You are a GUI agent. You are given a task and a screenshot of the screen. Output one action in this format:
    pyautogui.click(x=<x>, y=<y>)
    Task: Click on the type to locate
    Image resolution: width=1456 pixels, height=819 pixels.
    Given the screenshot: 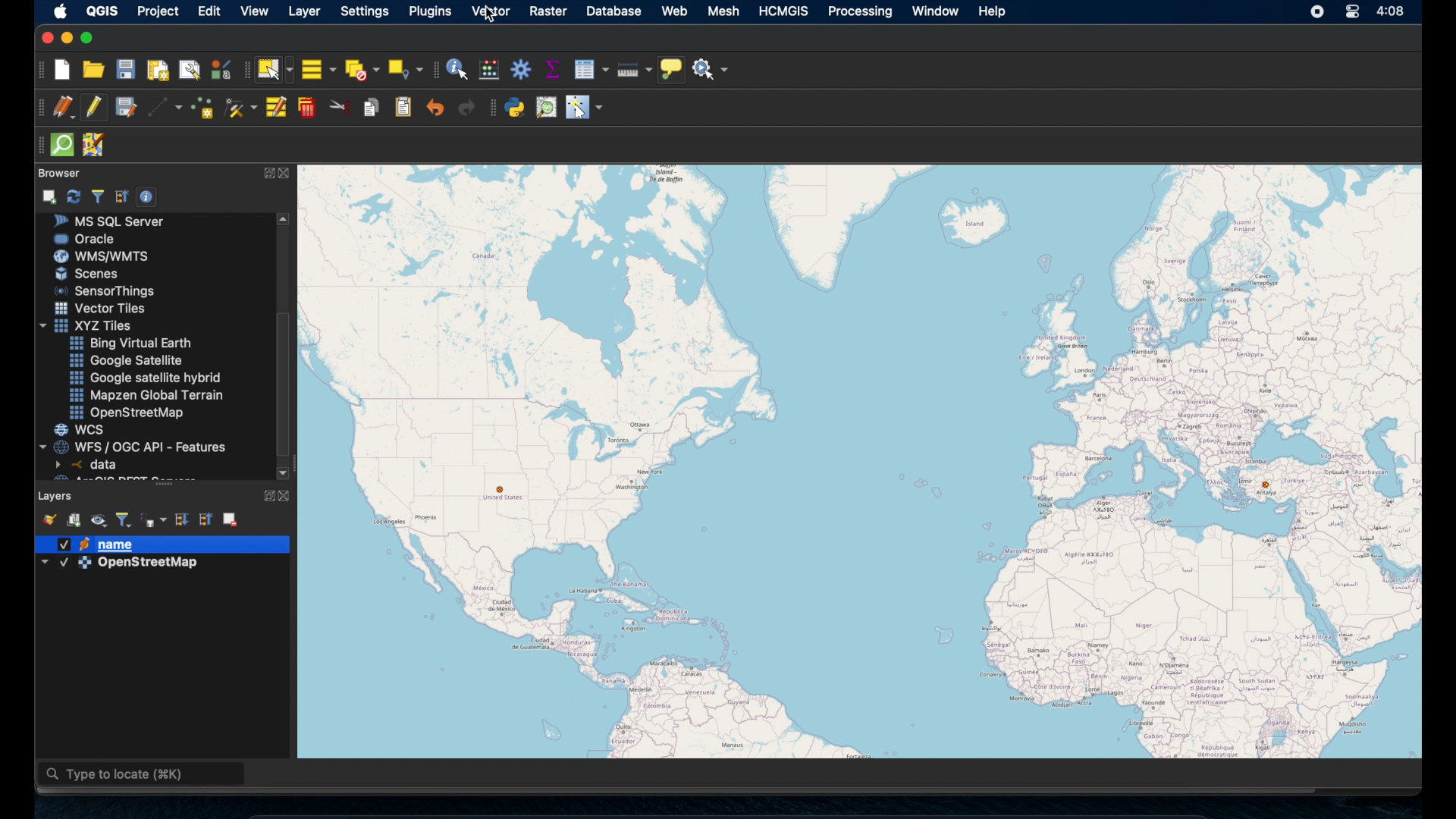 What is the action you would take?
    pyautogui.click(x=143, y=776)
    